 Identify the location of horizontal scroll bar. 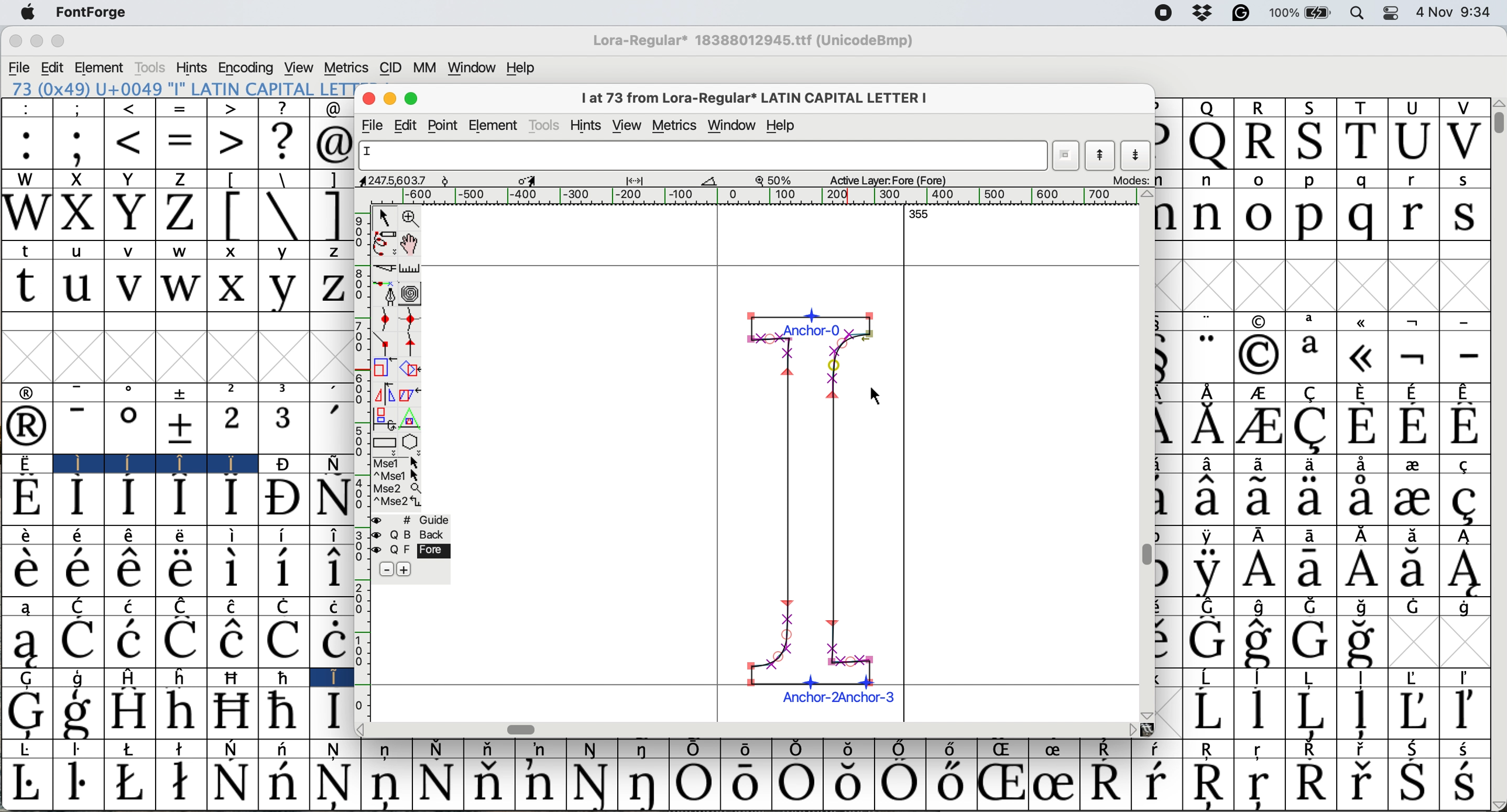
(521, 728).